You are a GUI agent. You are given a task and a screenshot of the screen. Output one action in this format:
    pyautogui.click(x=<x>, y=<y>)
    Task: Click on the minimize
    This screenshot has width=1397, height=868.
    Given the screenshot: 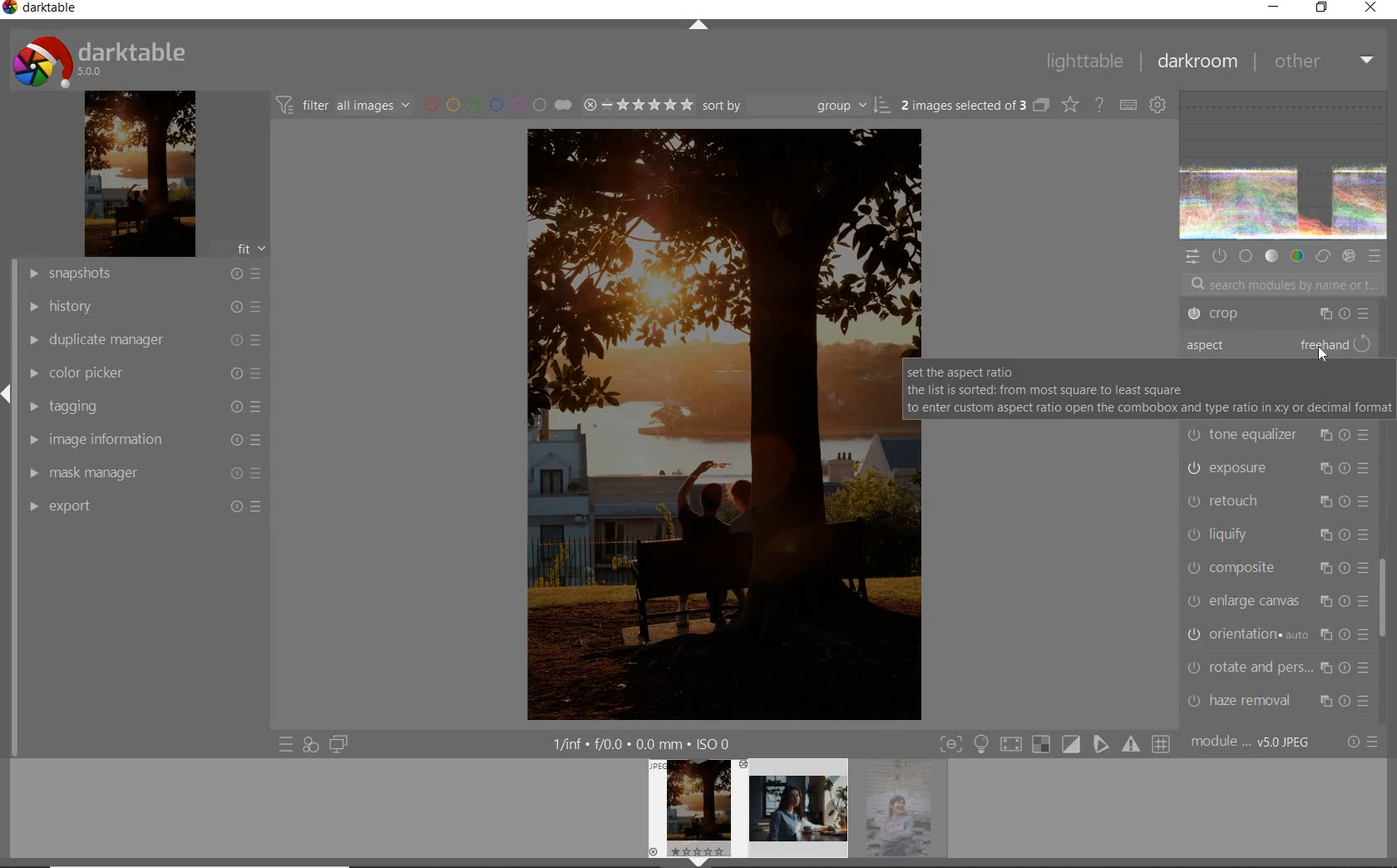 What is the action you would take?
    pyautogui.click(x=1273, y=6)
    